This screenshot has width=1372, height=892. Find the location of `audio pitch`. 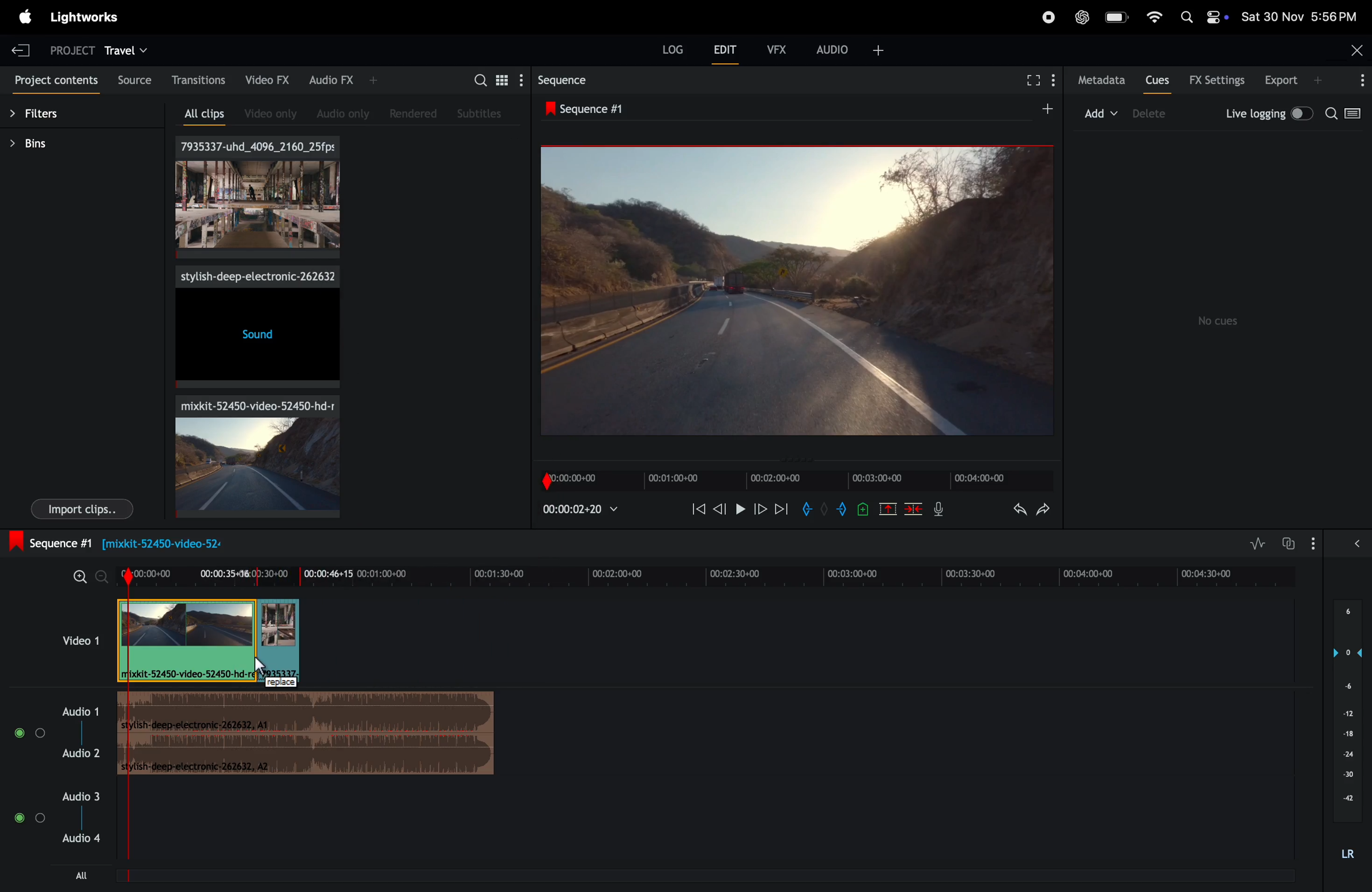

audio pitch is located at coordinates (1351, 731).